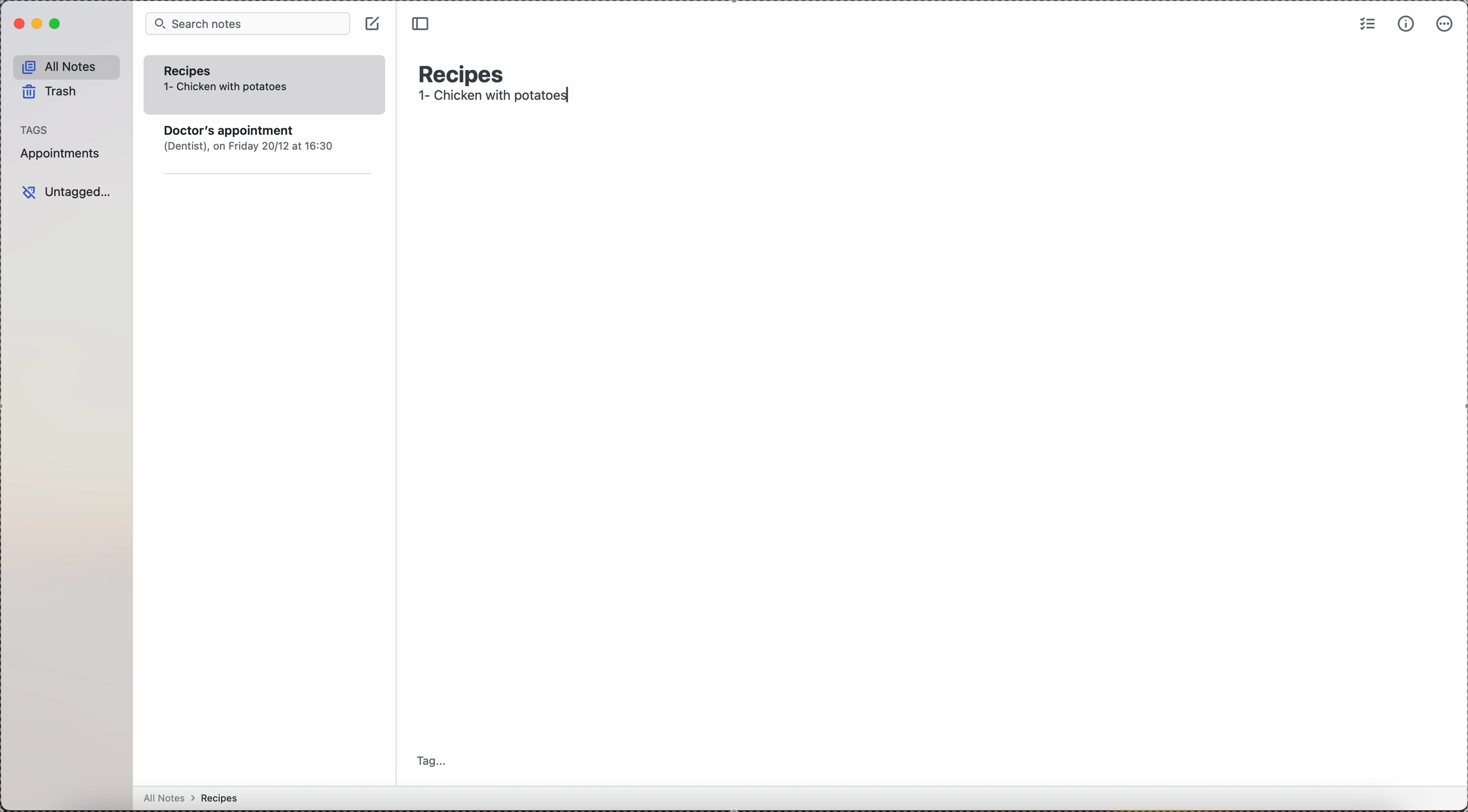 Image resolution: width=1468 pixels, height=812 pixels. I want to click on untagged, so click(64, 191).